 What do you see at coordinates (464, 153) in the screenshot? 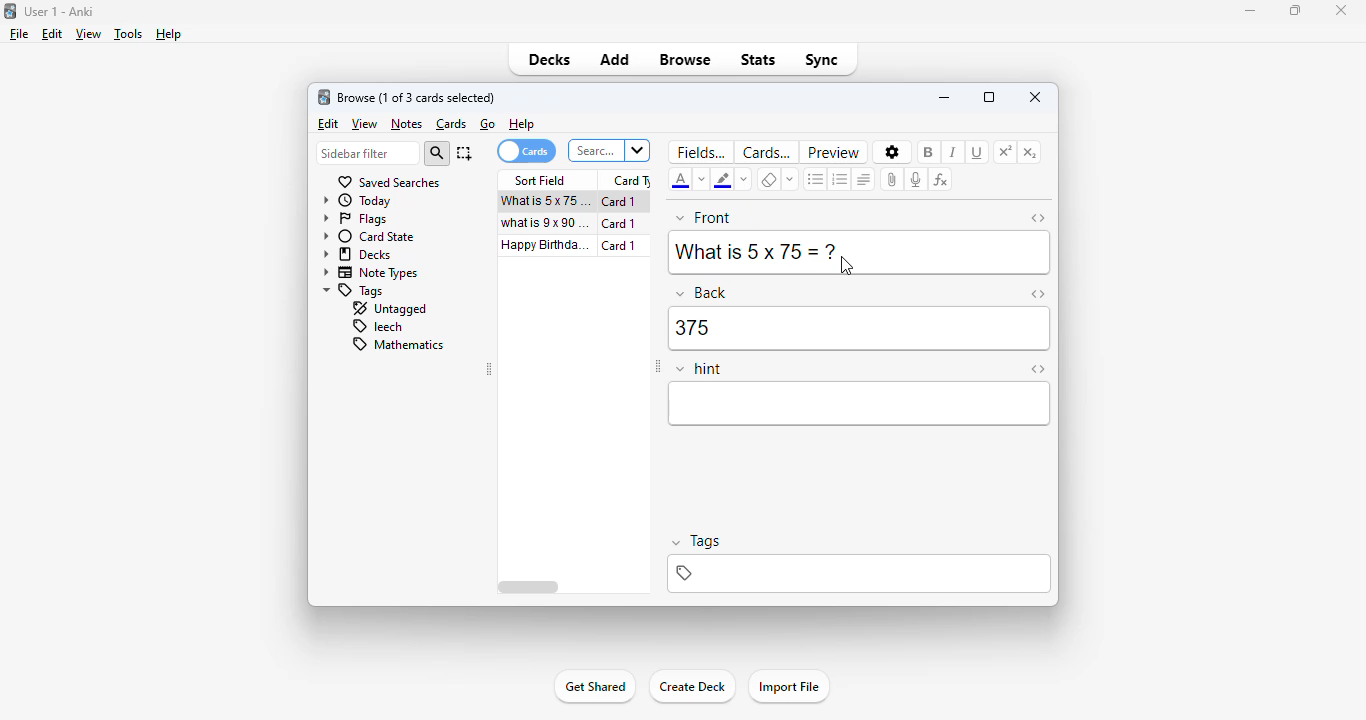
I see `select` at bounding box center [464, 153].